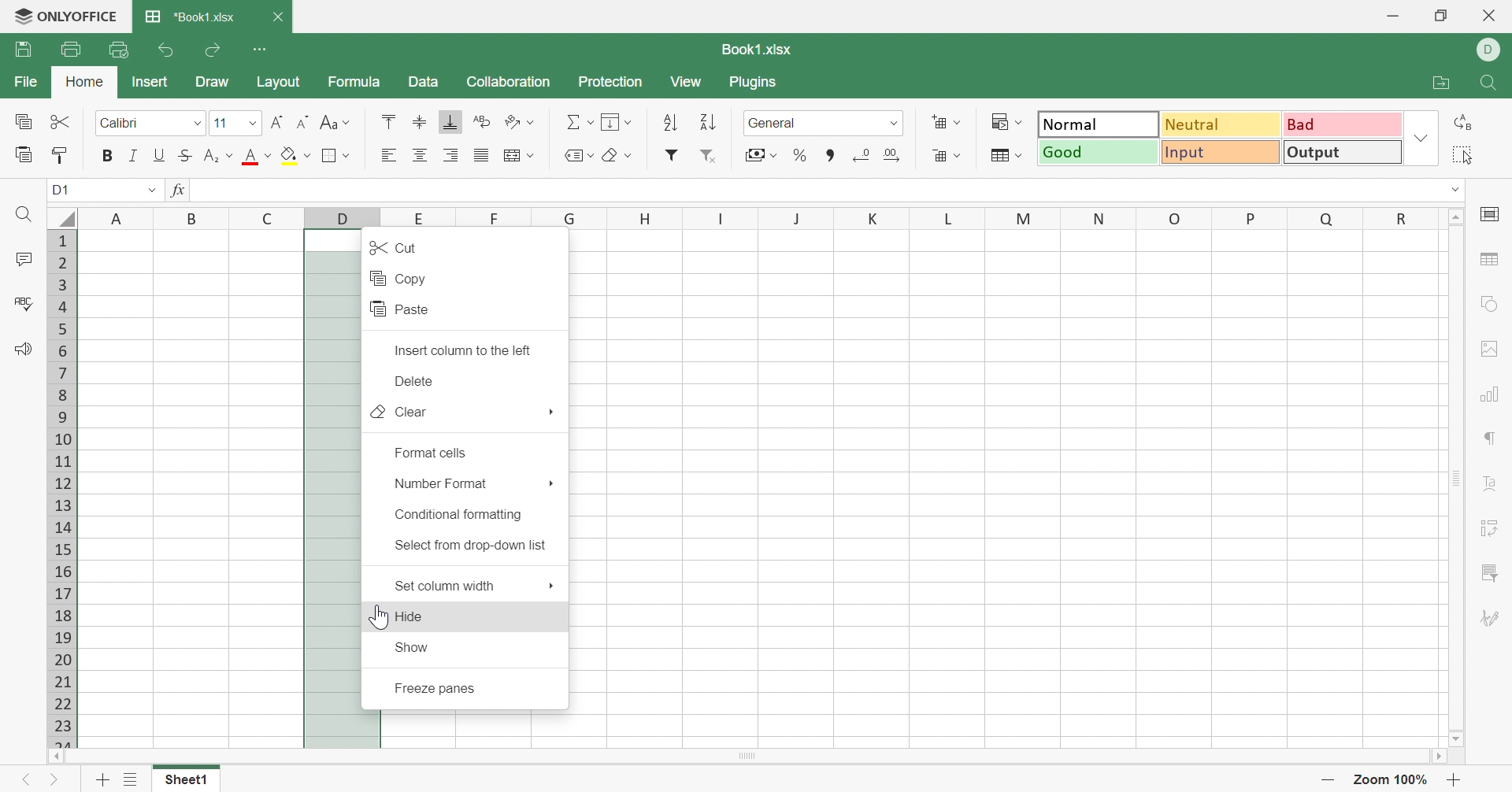 This screenshot has height=792, width=1512. Describe the element at coordinates (759, 47) in the screenshot. I see `Book1.xlsx` at that location.